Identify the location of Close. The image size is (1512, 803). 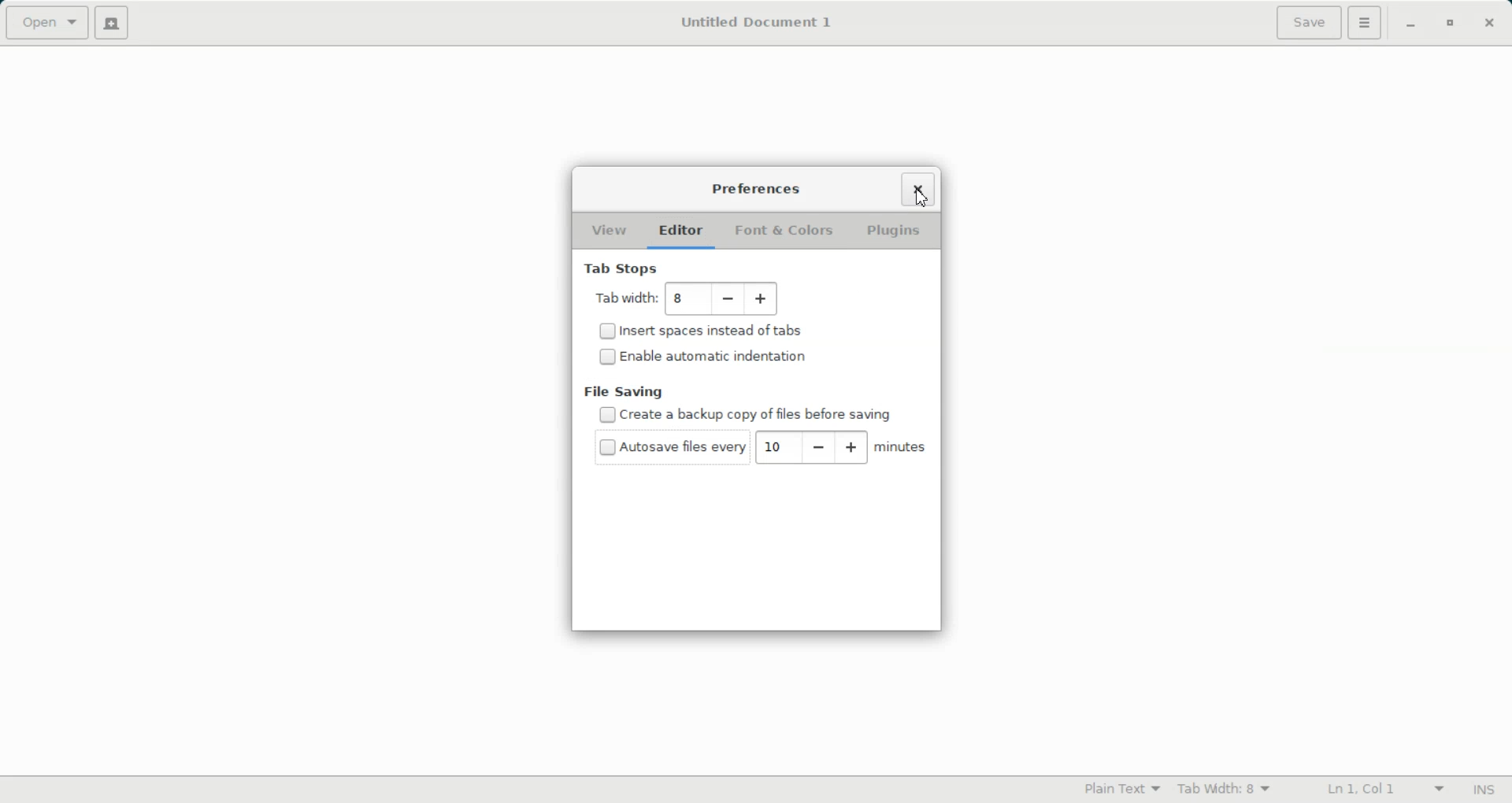
(1489, 22).